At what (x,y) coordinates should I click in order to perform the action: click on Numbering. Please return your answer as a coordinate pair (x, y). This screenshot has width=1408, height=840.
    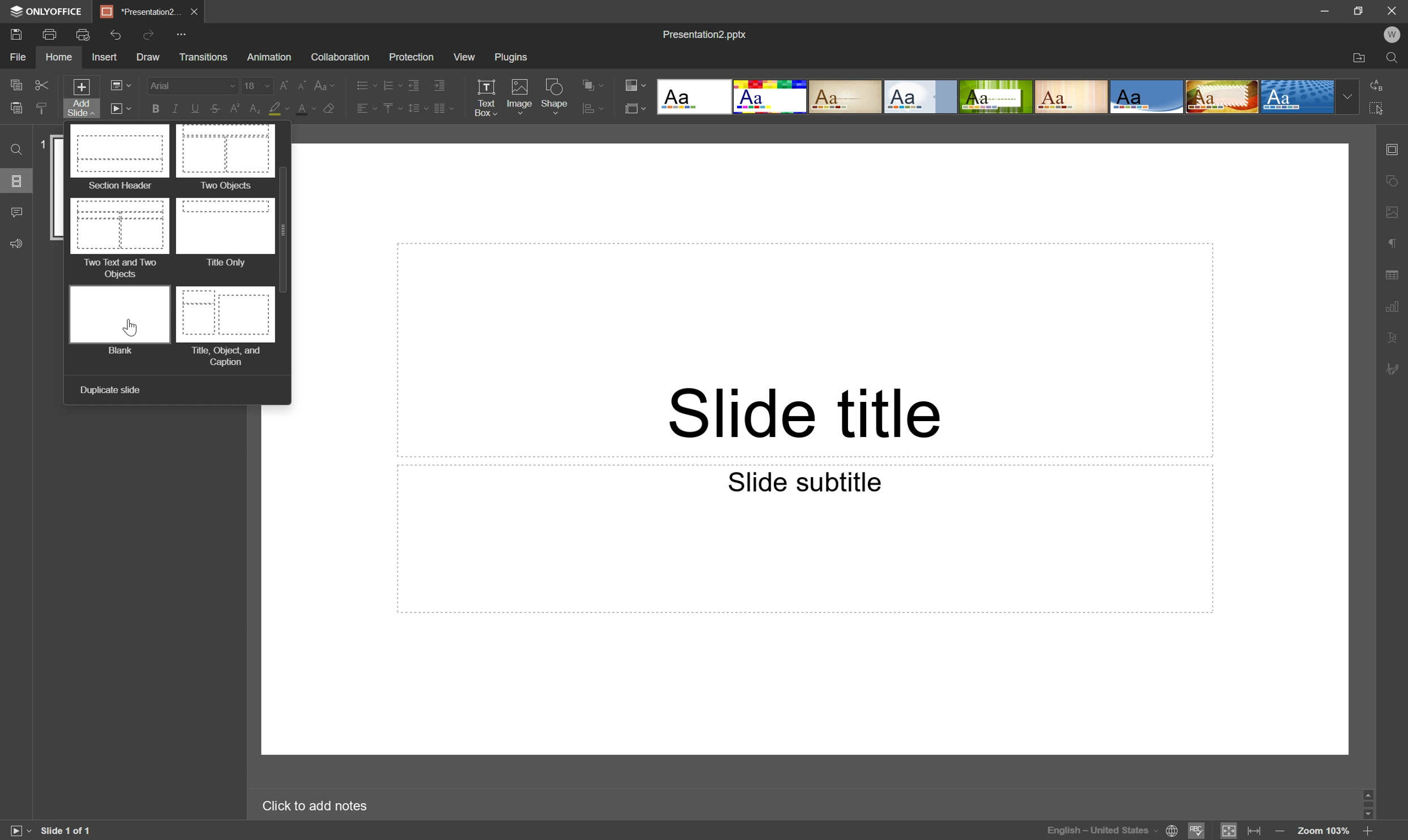
    Looking at the image, I should click on (391, 83).